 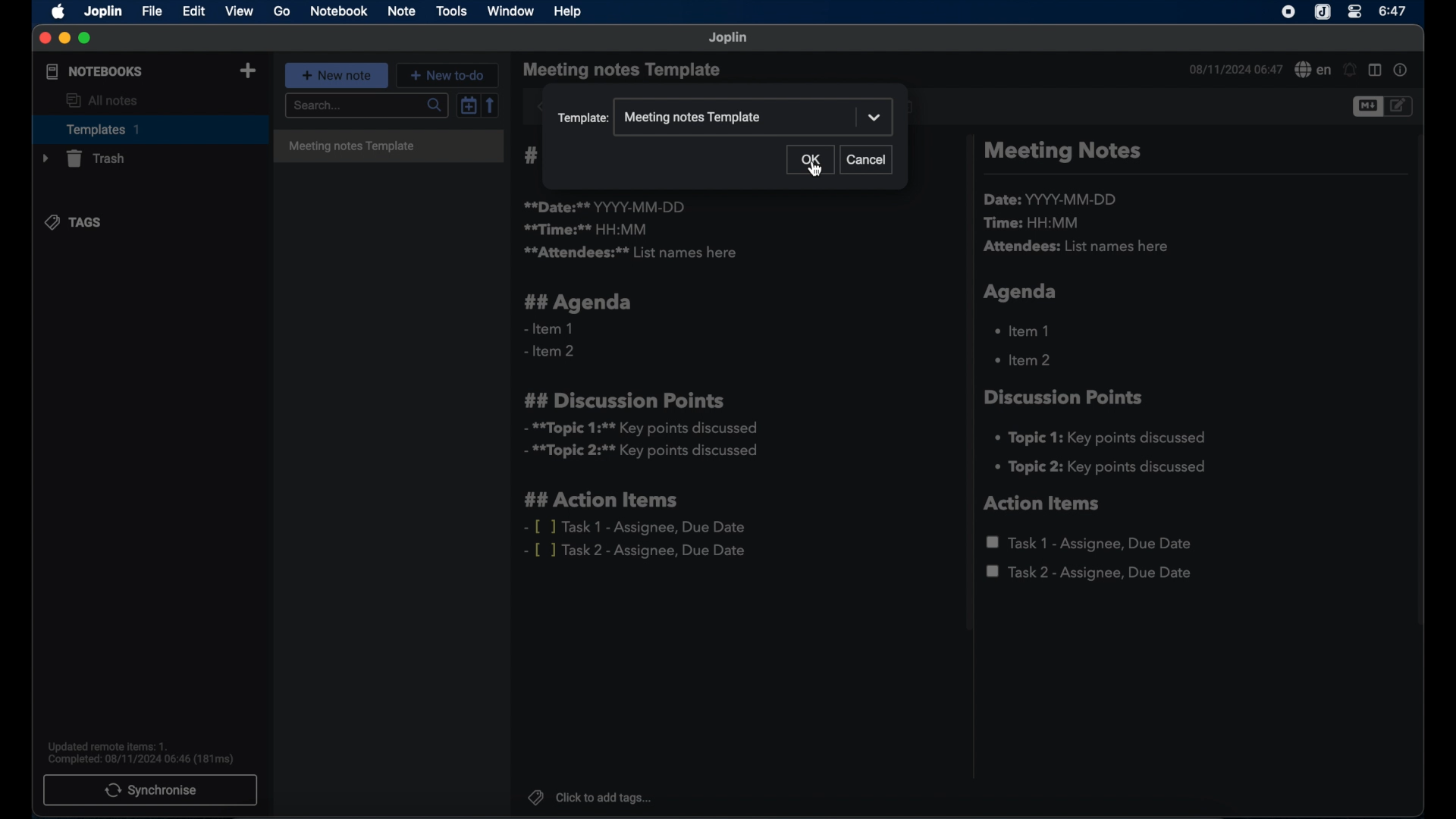 What do you see at coordinates (1043, 504) in the screenshot?
I see `action items` at bounding box center [1043, 504].